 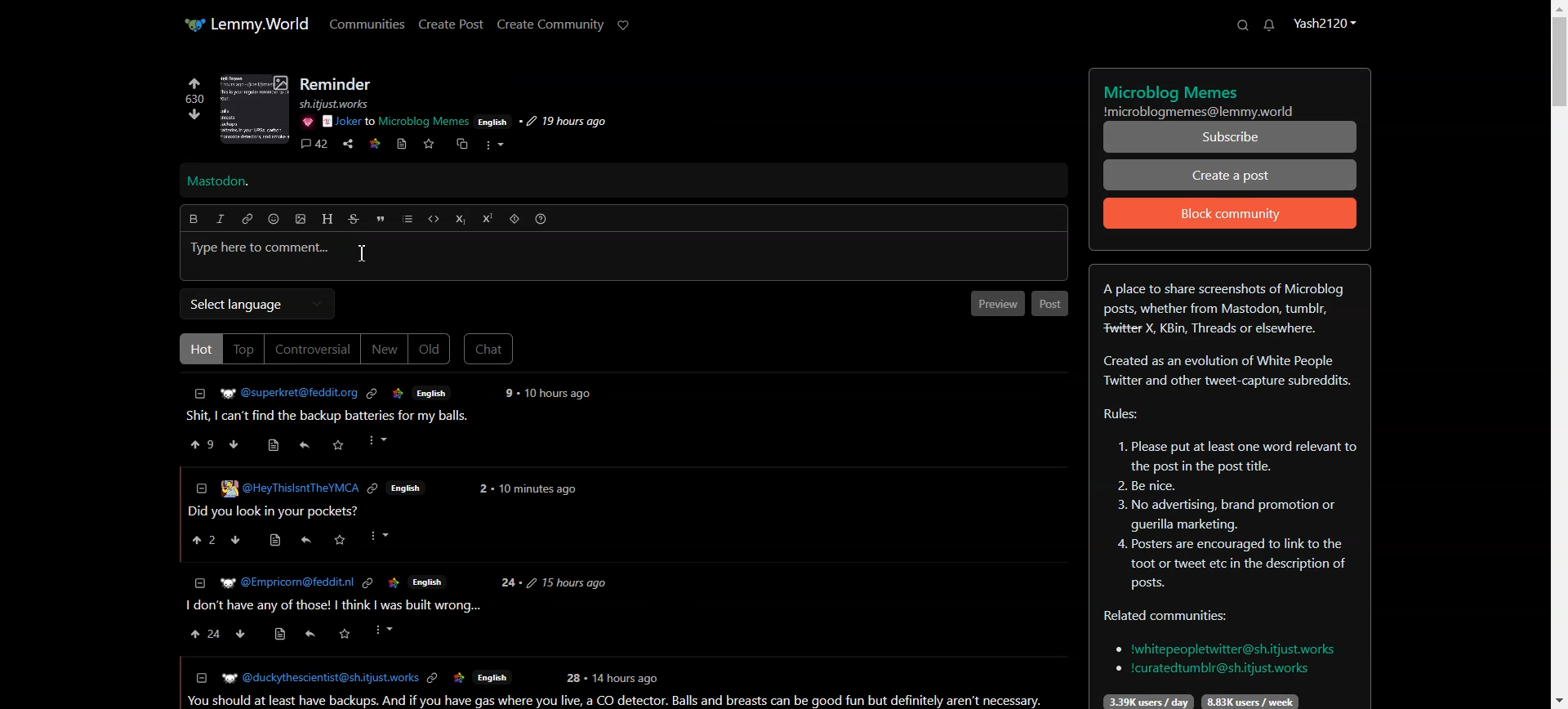 What do you see at coordinates (562, 122) in the screenshot?
I see `` at bounding box center [562, 122].